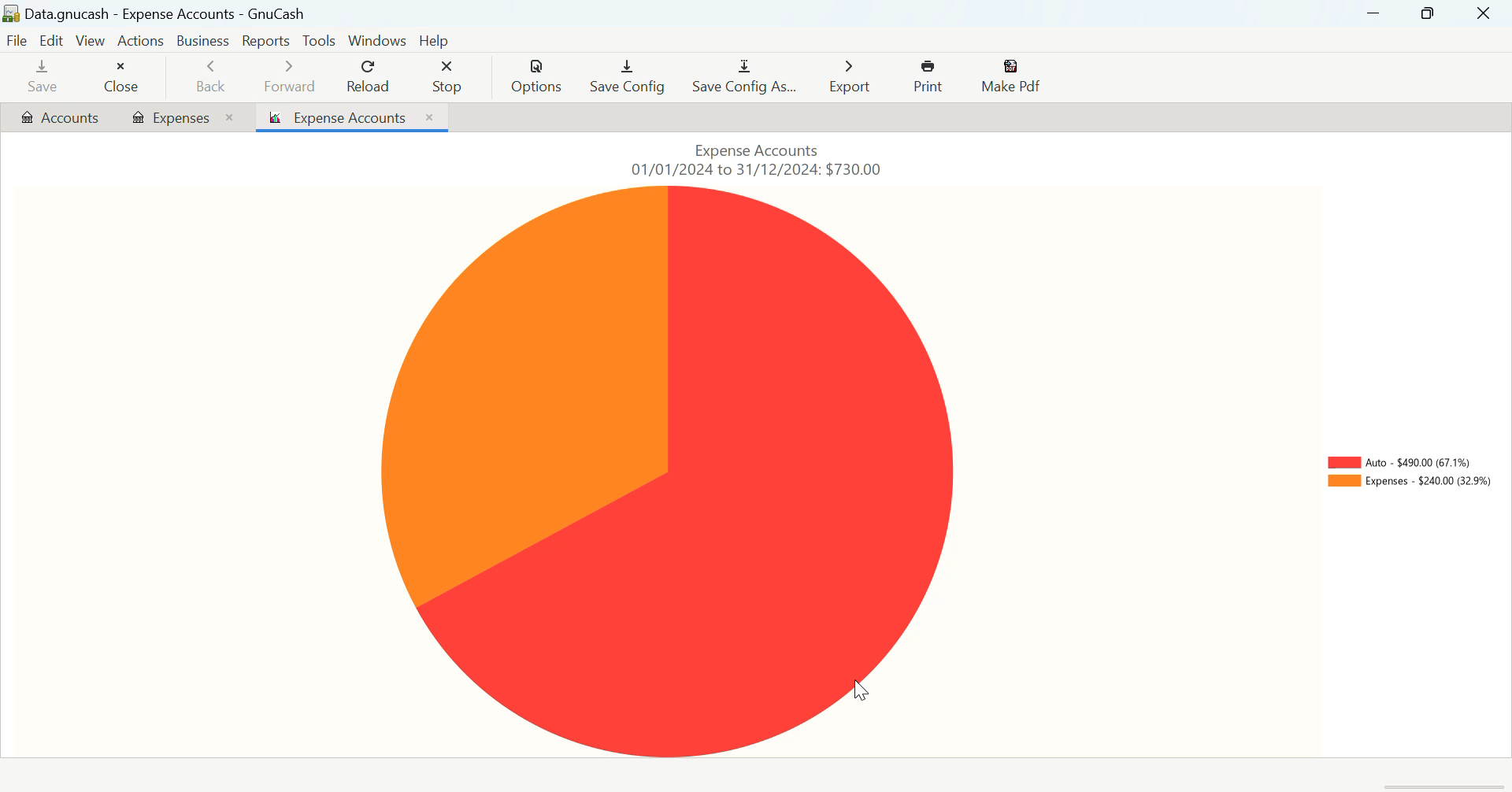 This screenshot has width=1512, height=792. What do you see at coordinates (353, 117) in the screenshot?
I see `Expense Accounts Piechart Tab` at bounding box center [353, 117].